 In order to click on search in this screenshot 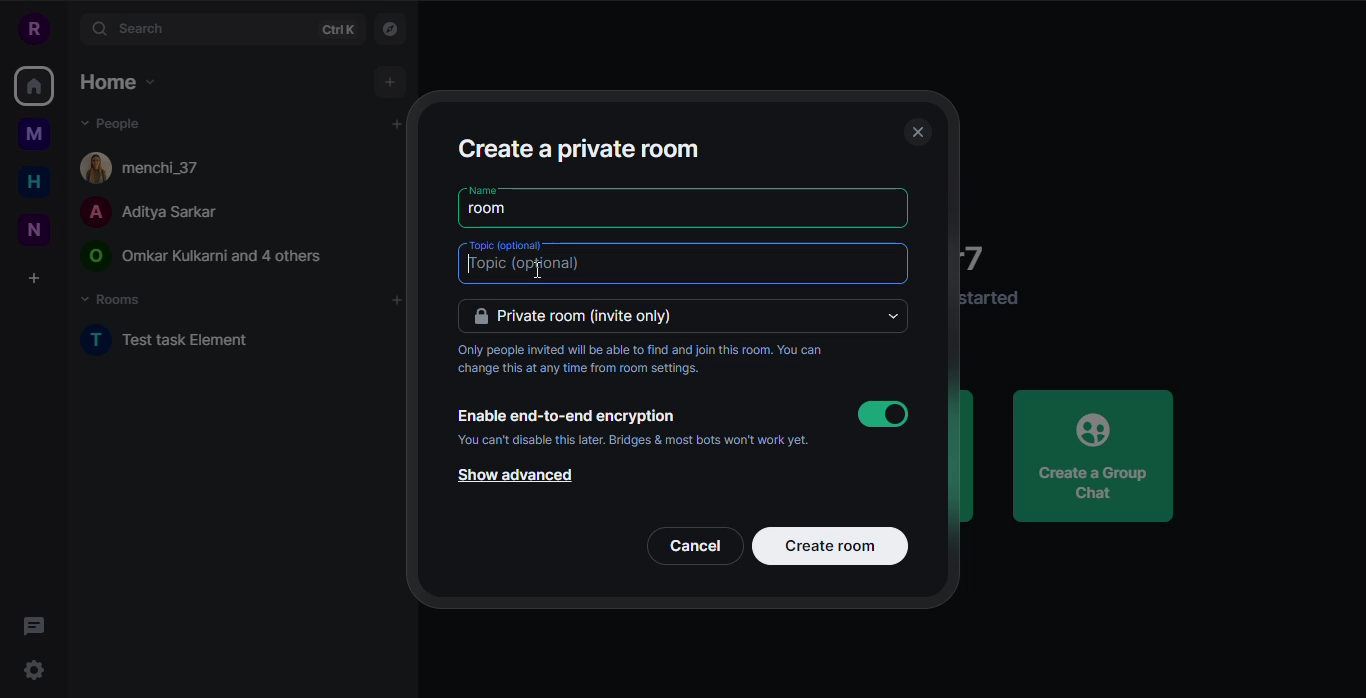, I will do `click(132, 28)`.